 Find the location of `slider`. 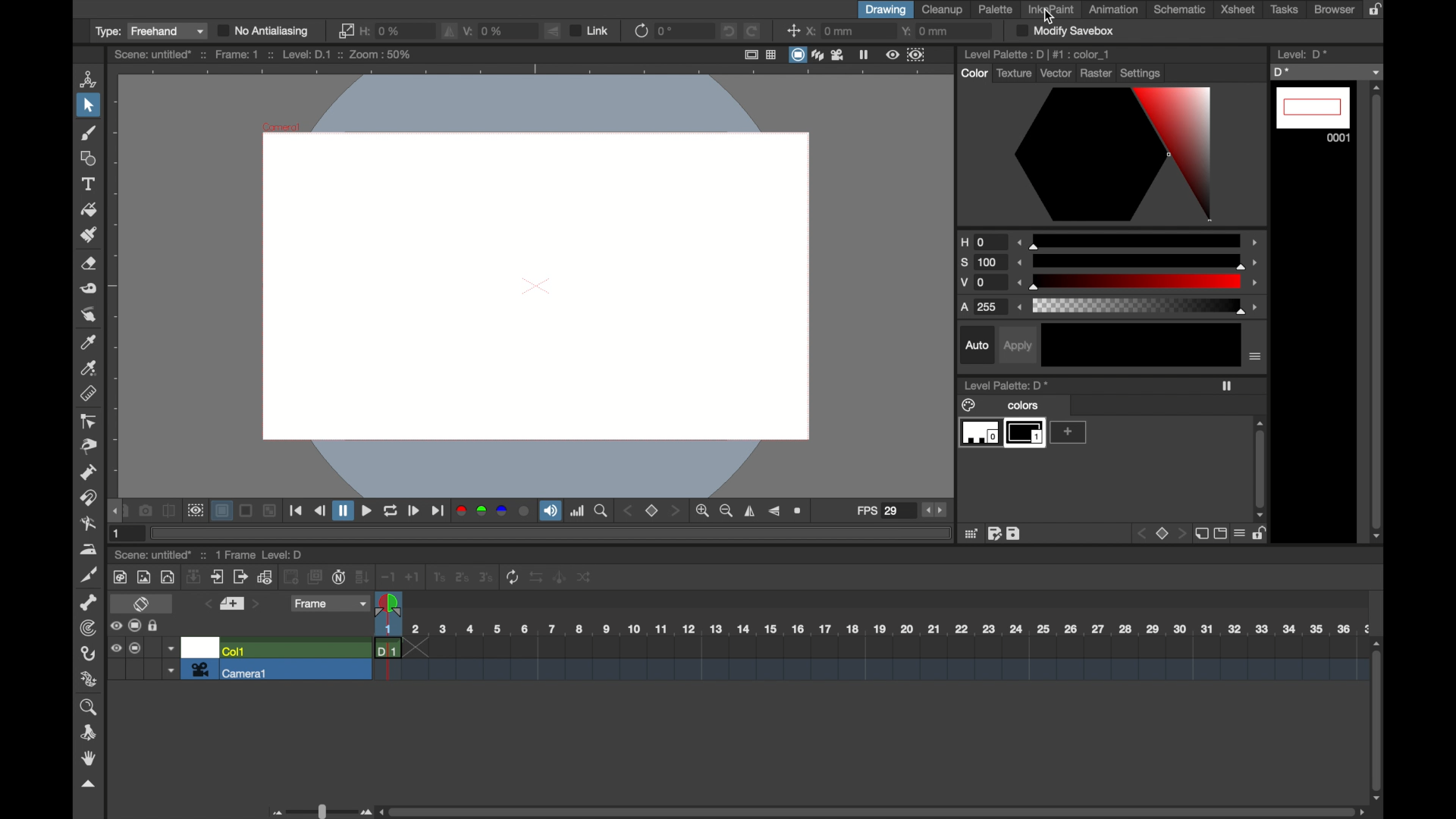

slider is located at coordinates (320, 811).